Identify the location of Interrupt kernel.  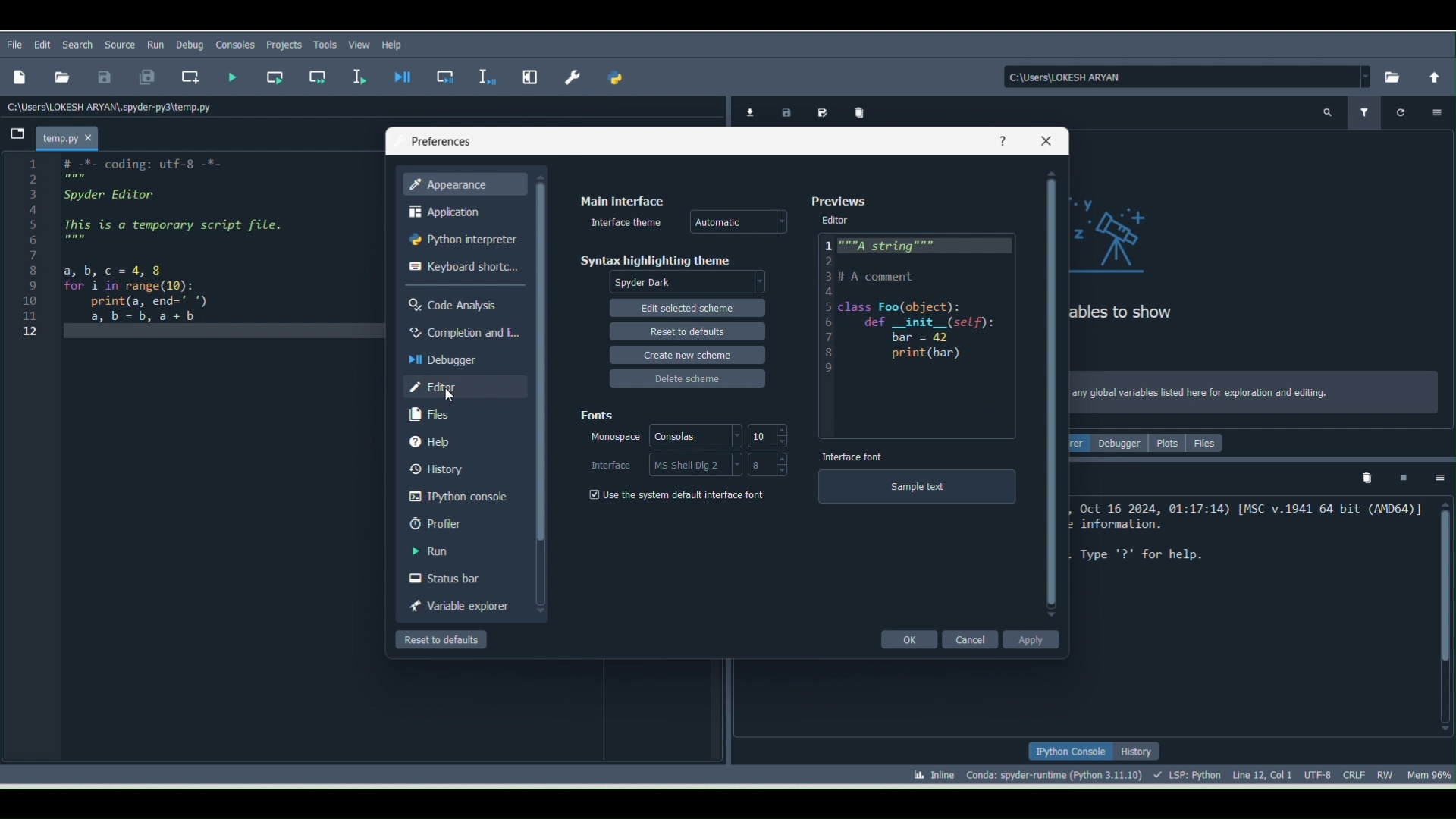
(1402, 477).